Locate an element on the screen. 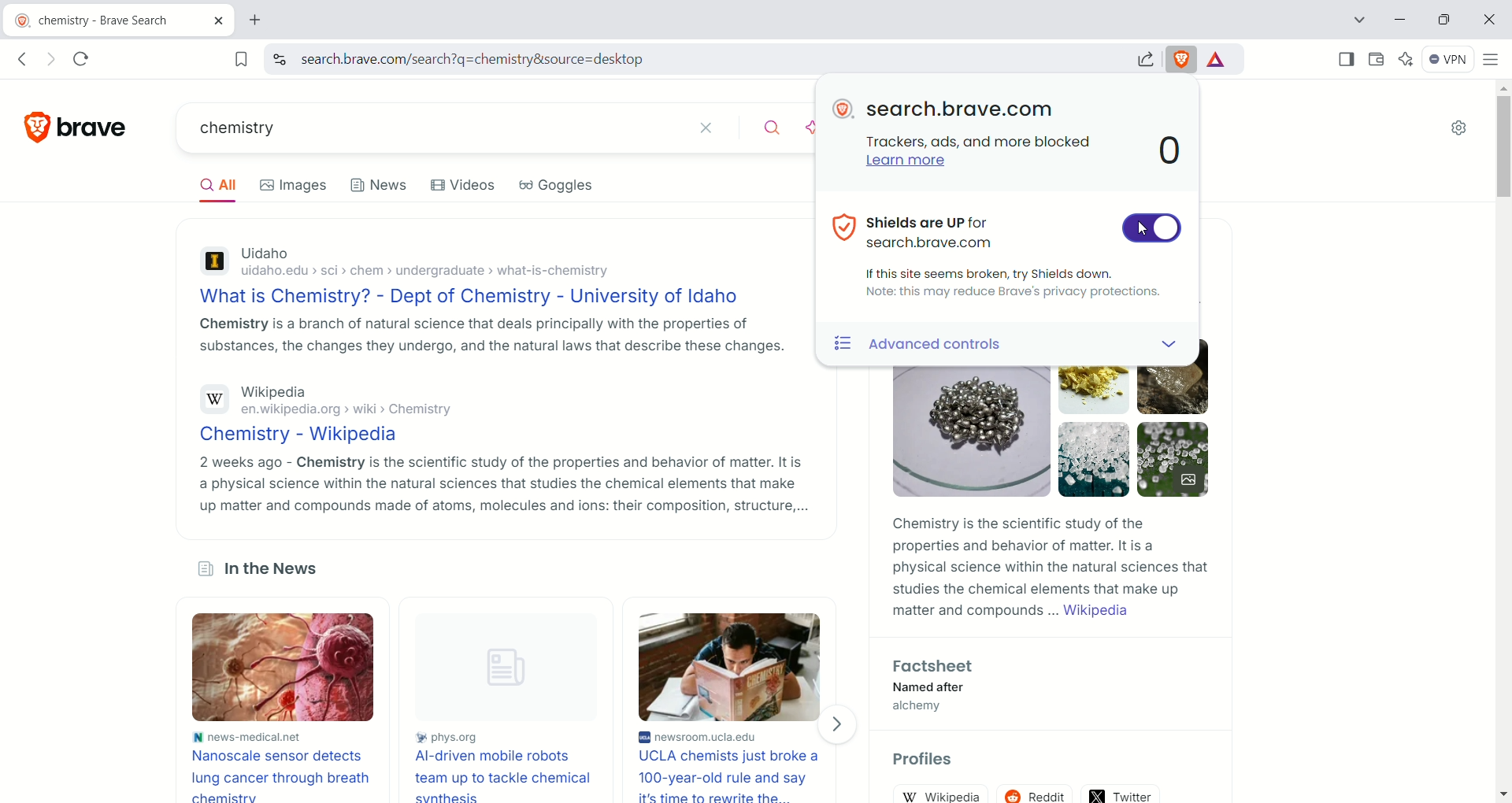  Wikipedia, reddit, twitter is located at coordinates (1047, 790).